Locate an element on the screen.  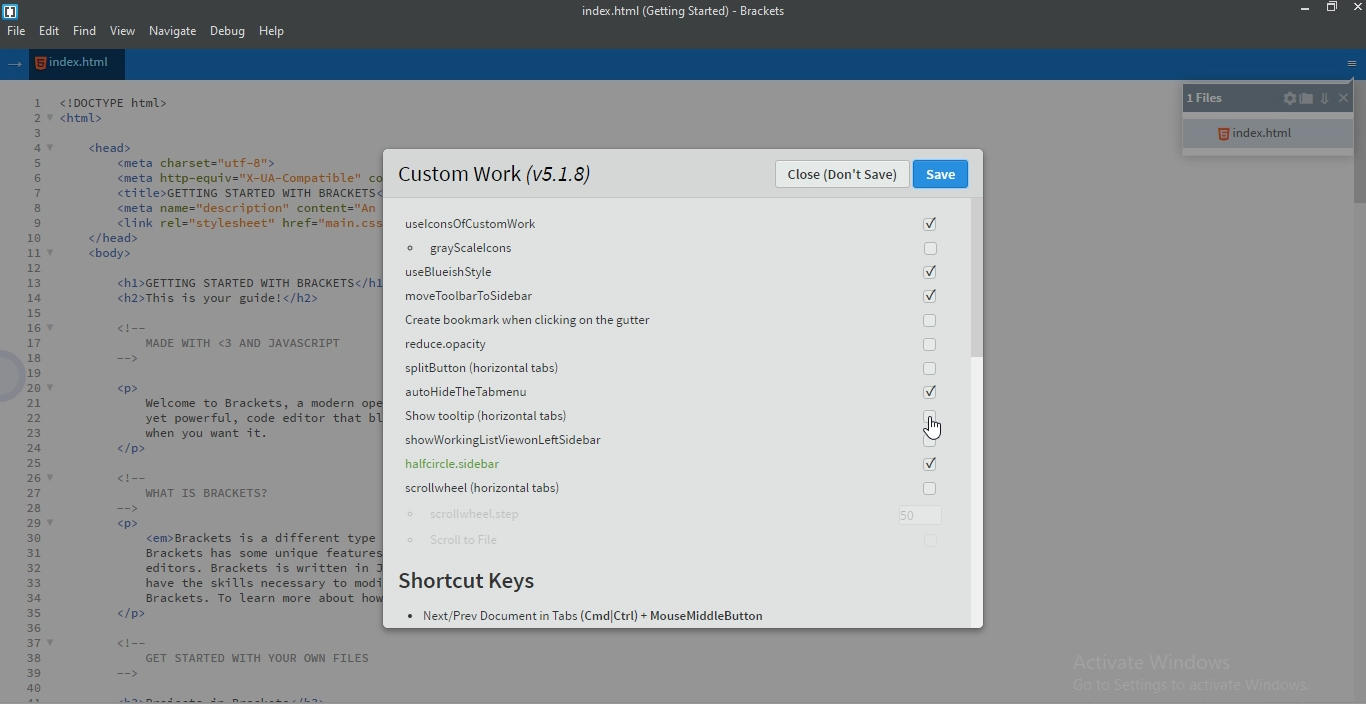
scroll bar is located at coordinates (977, 278).